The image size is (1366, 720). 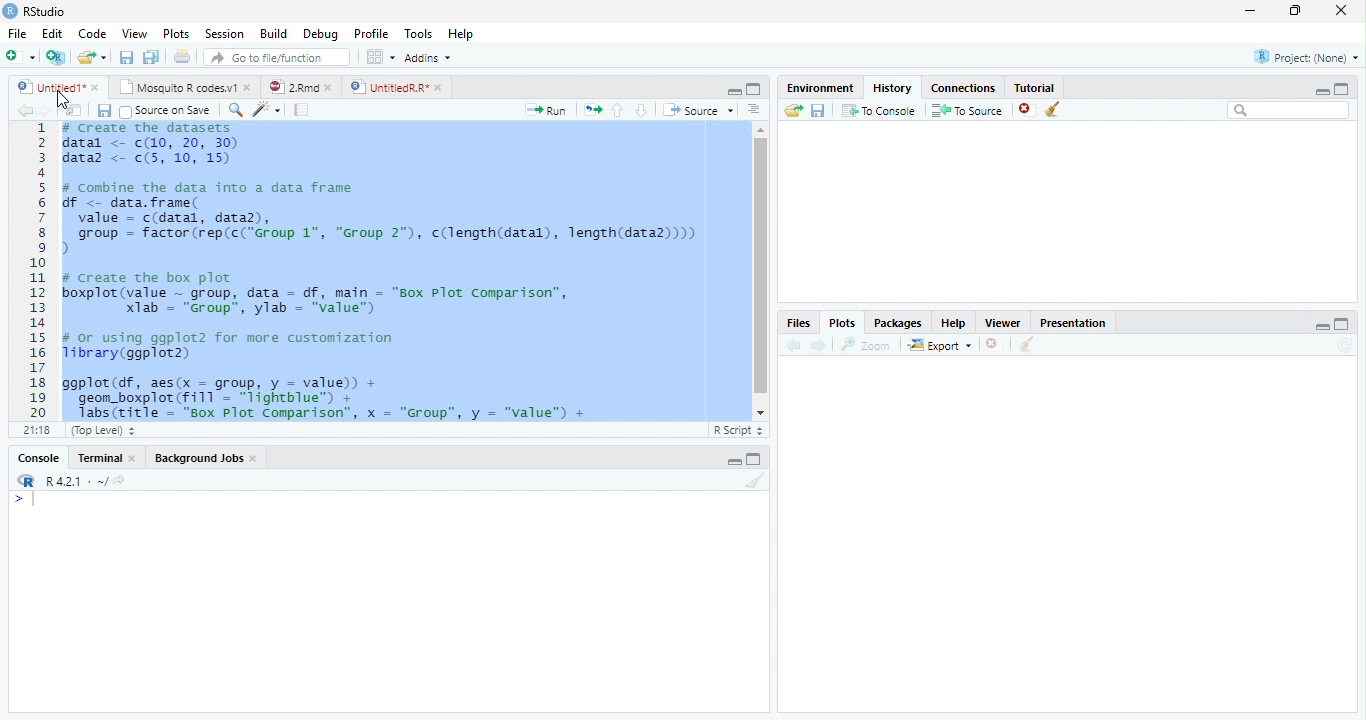 I want to click on Save current document, so click(x=126, y=56).